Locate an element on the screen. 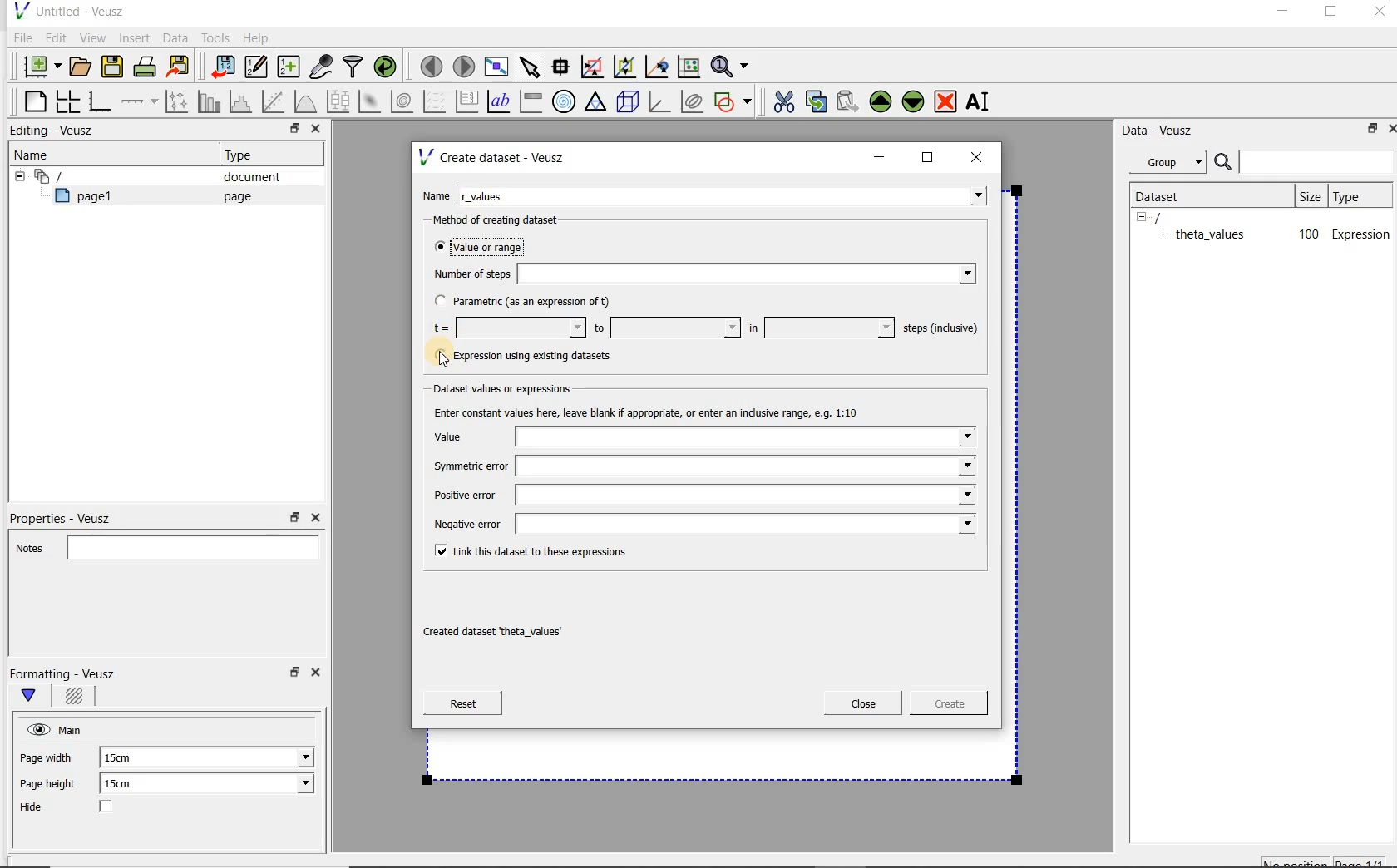  Name is located at coordinates (37, 154).